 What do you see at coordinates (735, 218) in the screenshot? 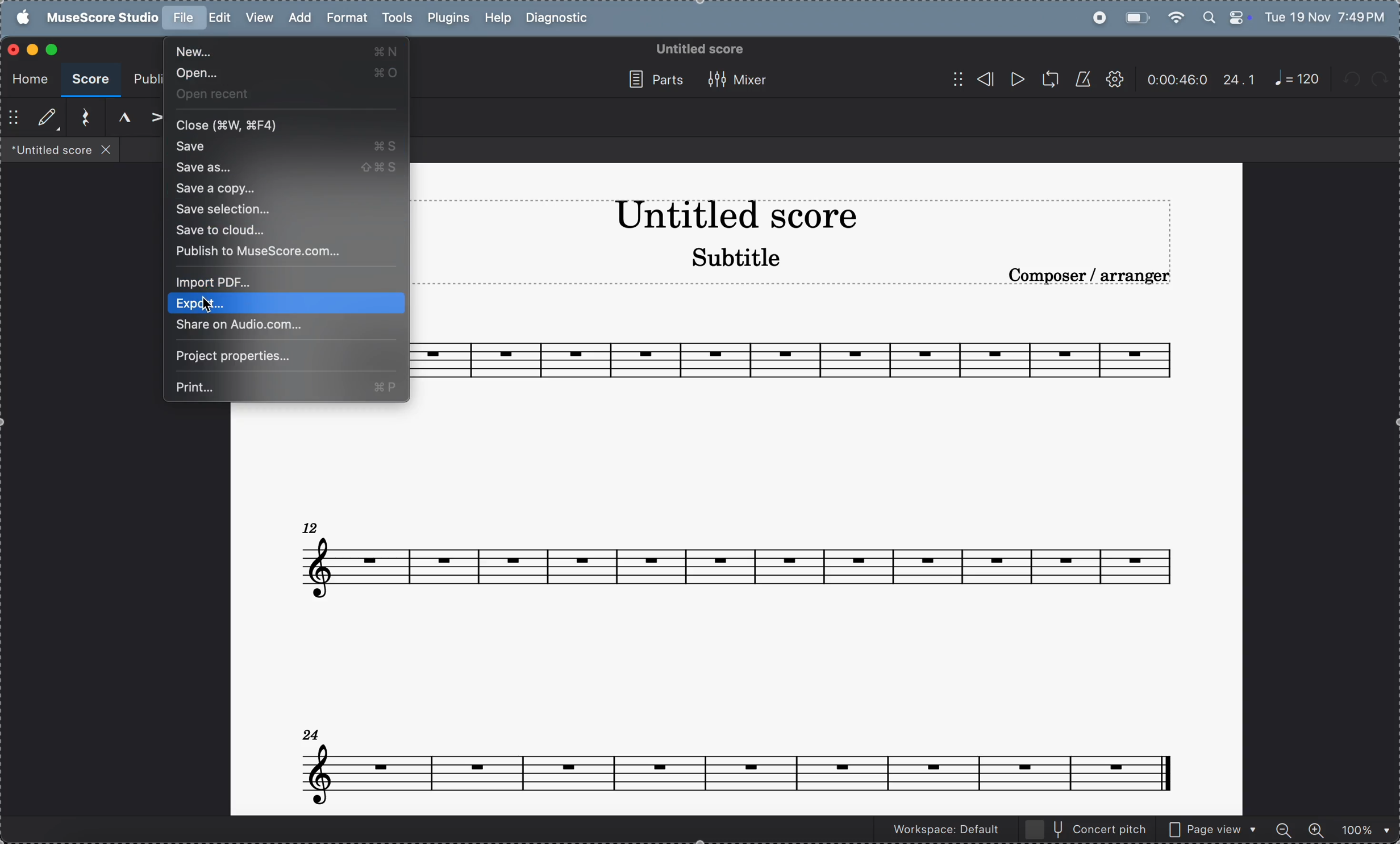
I see `title` at bounding box center [735, 218].